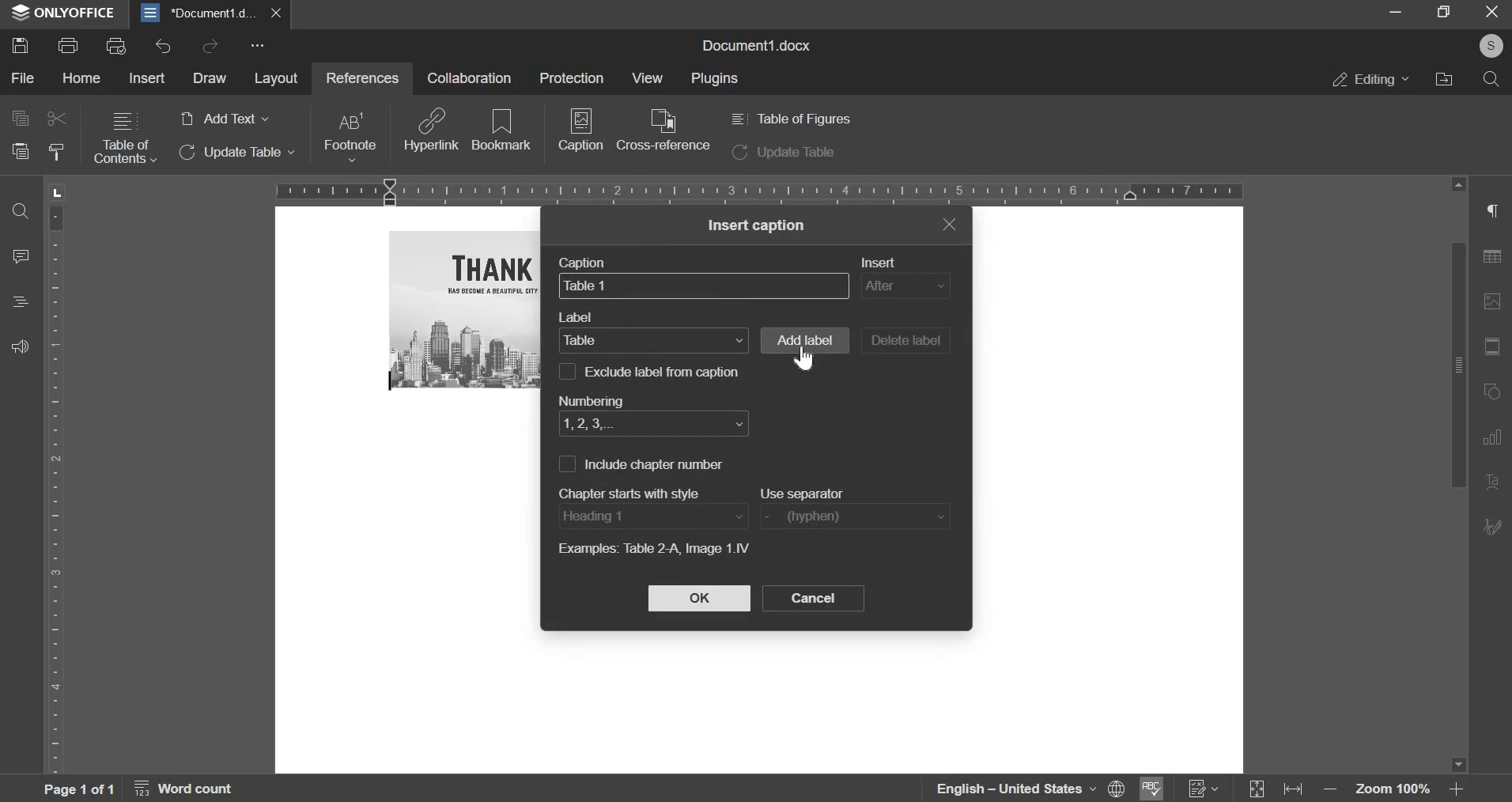  Describe the element at coordinates (149, 77) in the screenshot. I see `insert` at that location.